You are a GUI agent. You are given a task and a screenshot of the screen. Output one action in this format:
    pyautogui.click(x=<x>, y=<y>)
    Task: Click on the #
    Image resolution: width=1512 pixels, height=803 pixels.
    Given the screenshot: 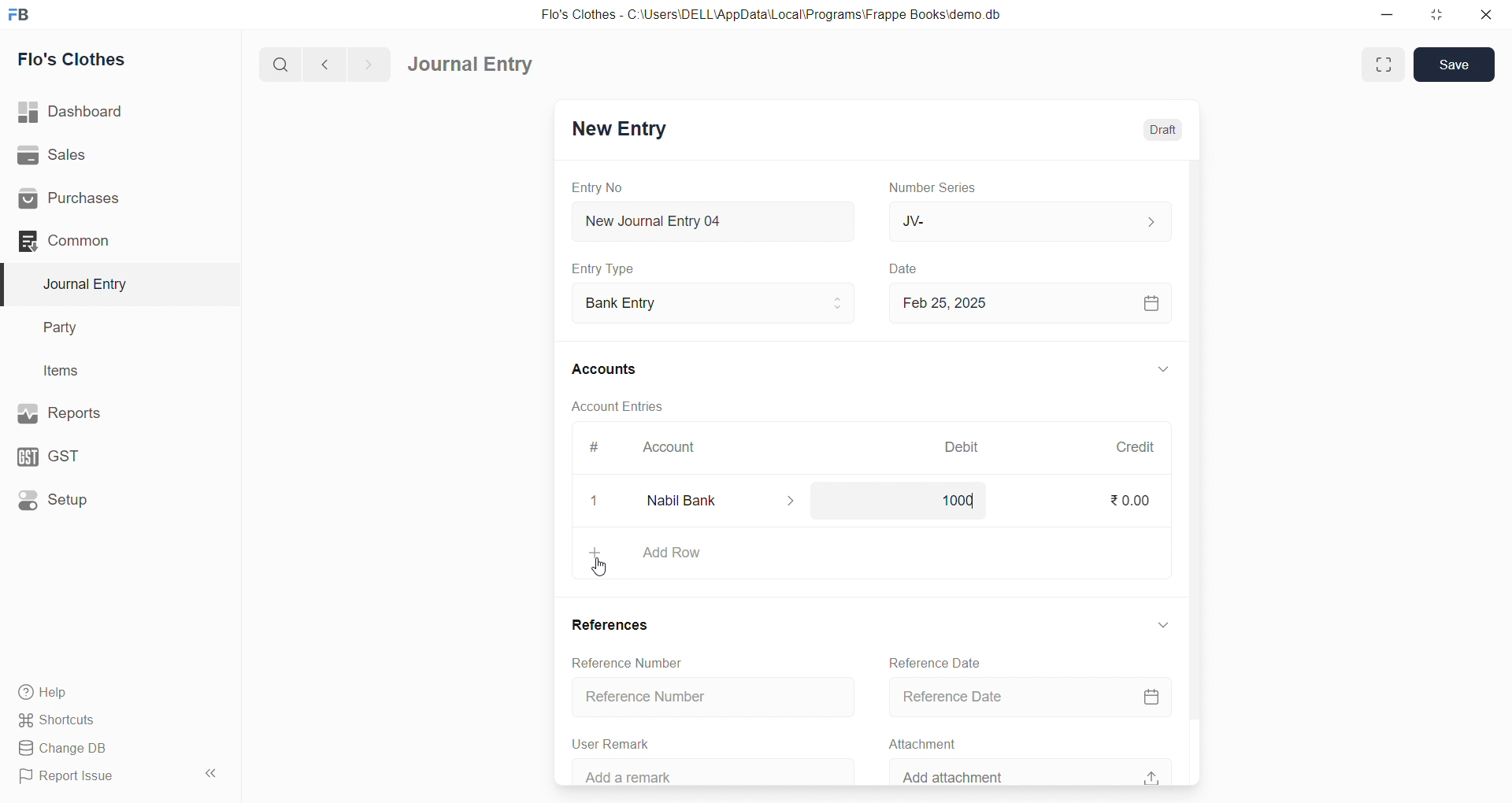 What is the action you would take?
    pyautogui.click(x=595, y=449)
    